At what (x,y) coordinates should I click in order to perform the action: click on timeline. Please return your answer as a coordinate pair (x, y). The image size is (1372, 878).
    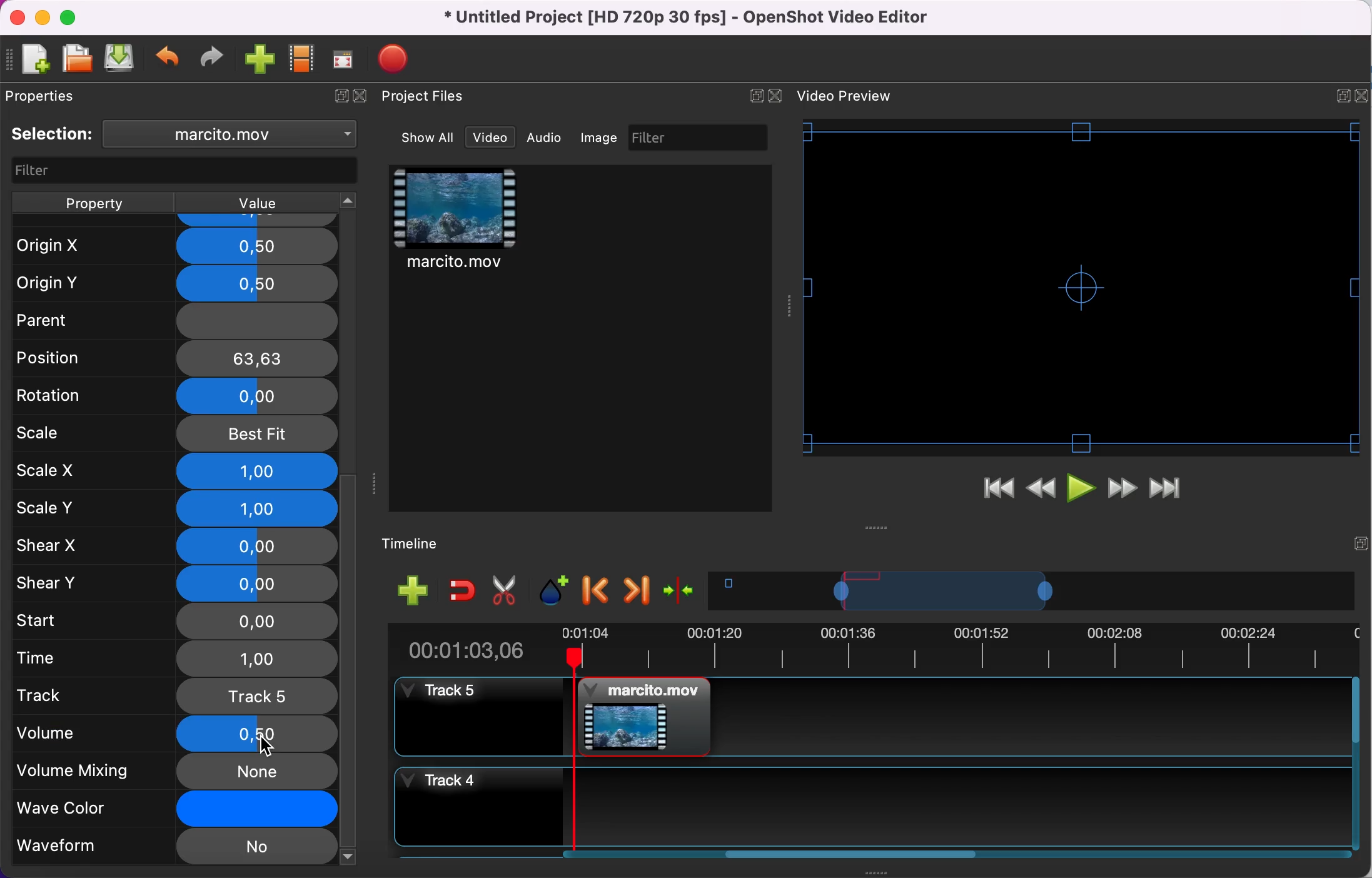
    Looking at the image, I should click on (420, 545).